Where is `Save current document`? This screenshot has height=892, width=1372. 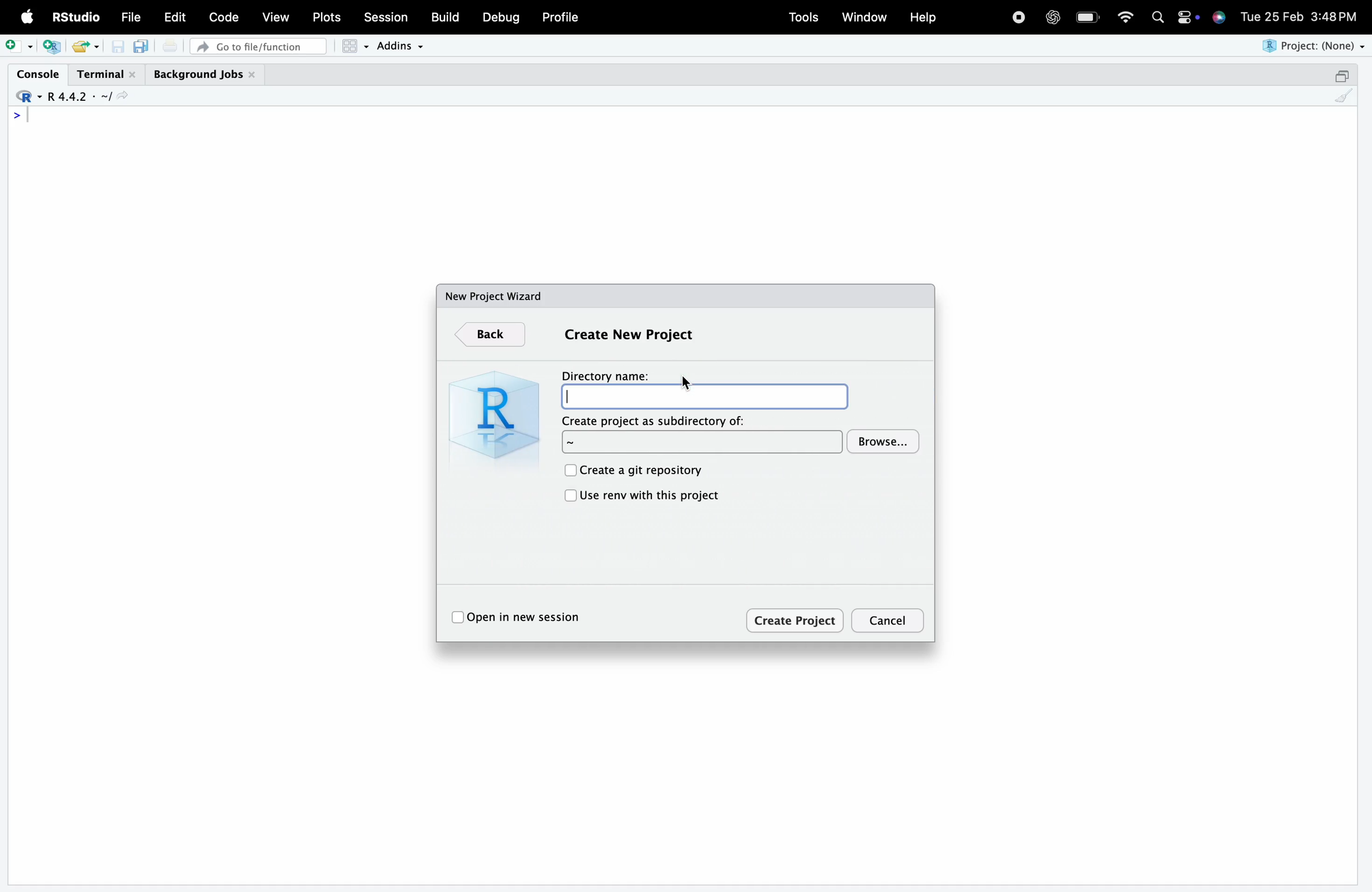
Save current document is located at coordinates (118, 47).